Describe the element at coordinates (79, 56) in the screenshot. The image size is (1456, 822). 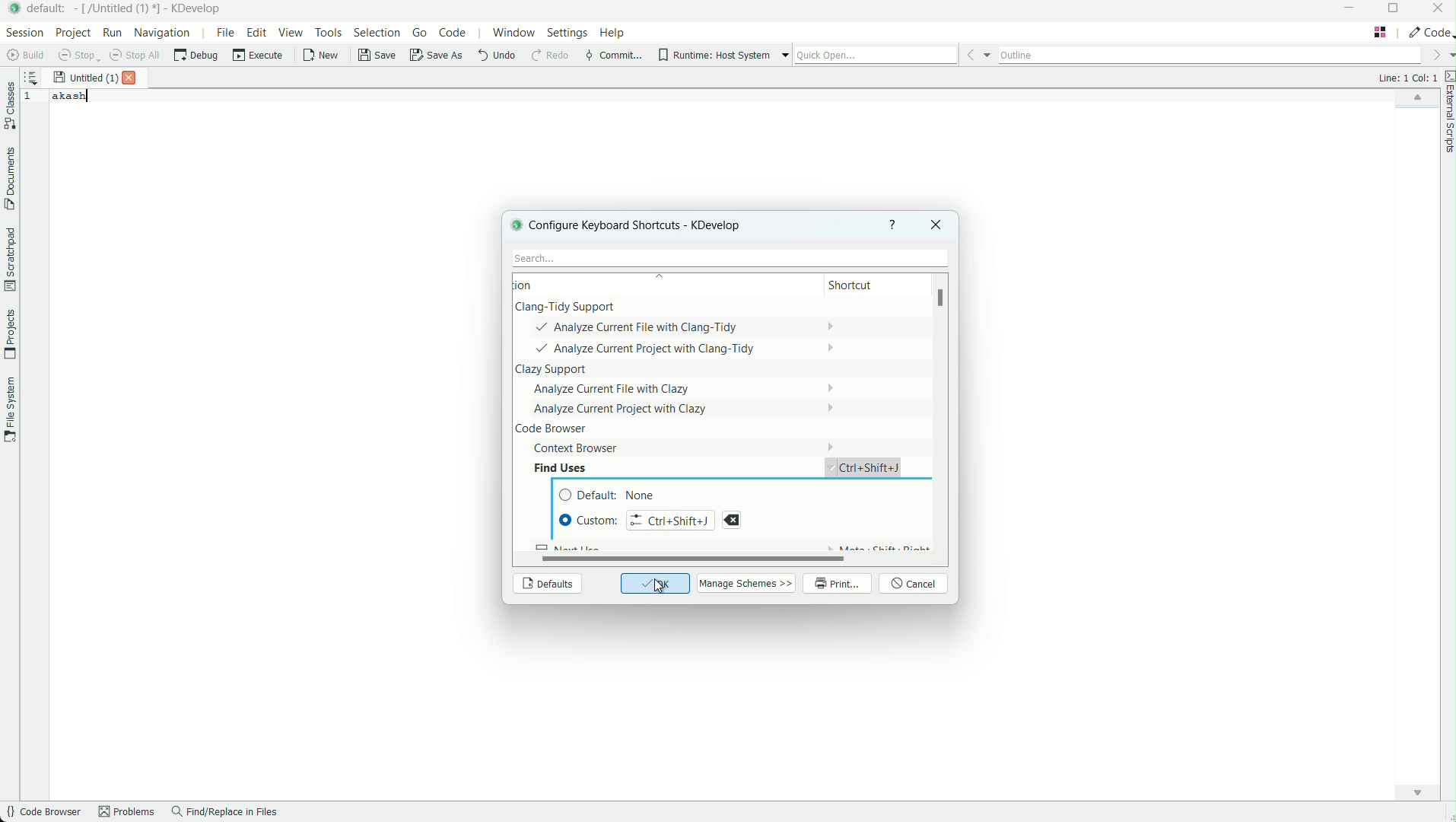
I see `stop` at that location.